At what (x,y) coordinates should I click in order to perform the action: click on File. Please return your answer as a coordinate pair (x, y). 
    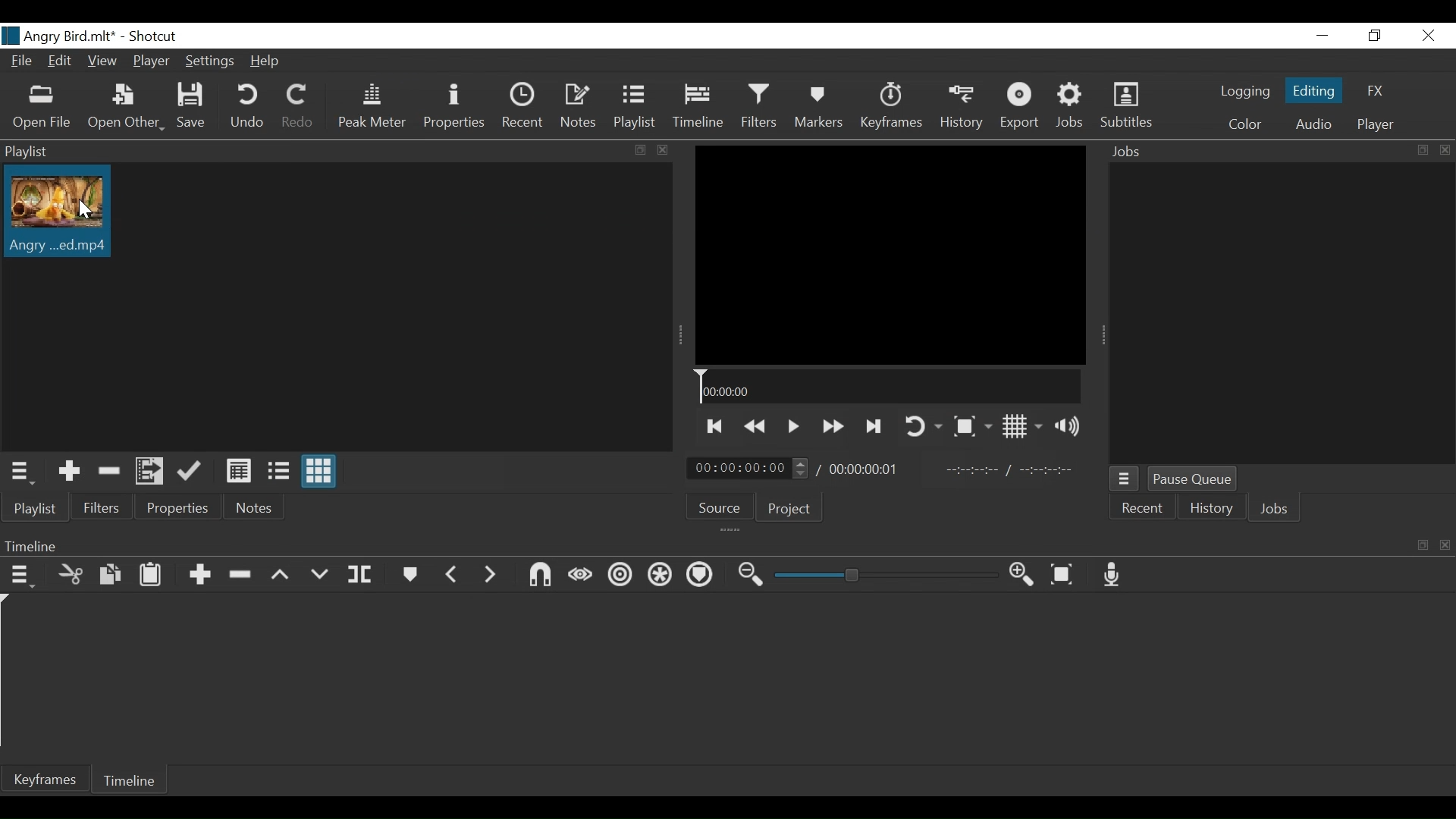
    Looking at the image, I should click on (20, 60).